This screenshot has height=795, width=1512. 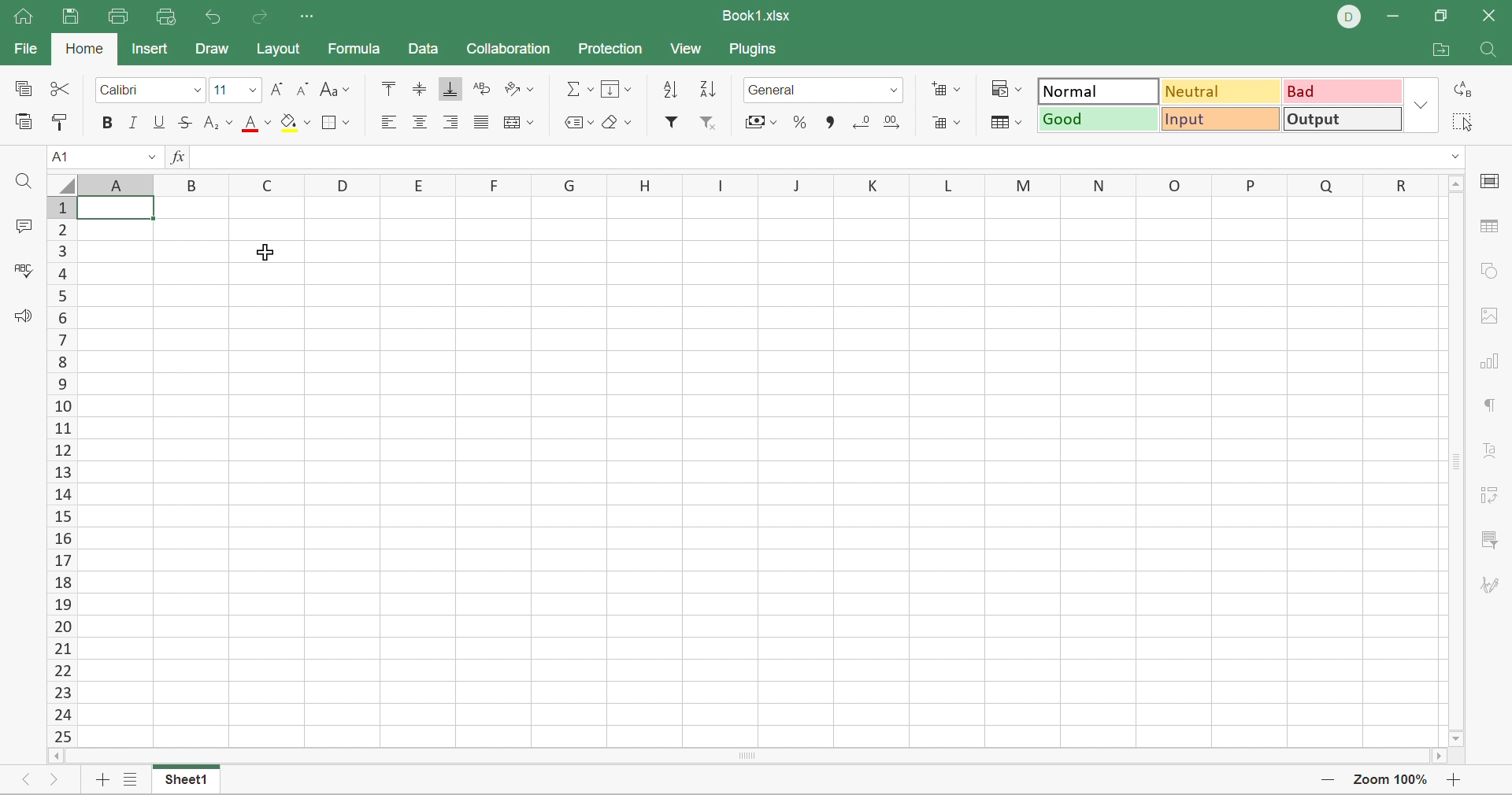 I want to click on Undo, so click(x=216, y=17).